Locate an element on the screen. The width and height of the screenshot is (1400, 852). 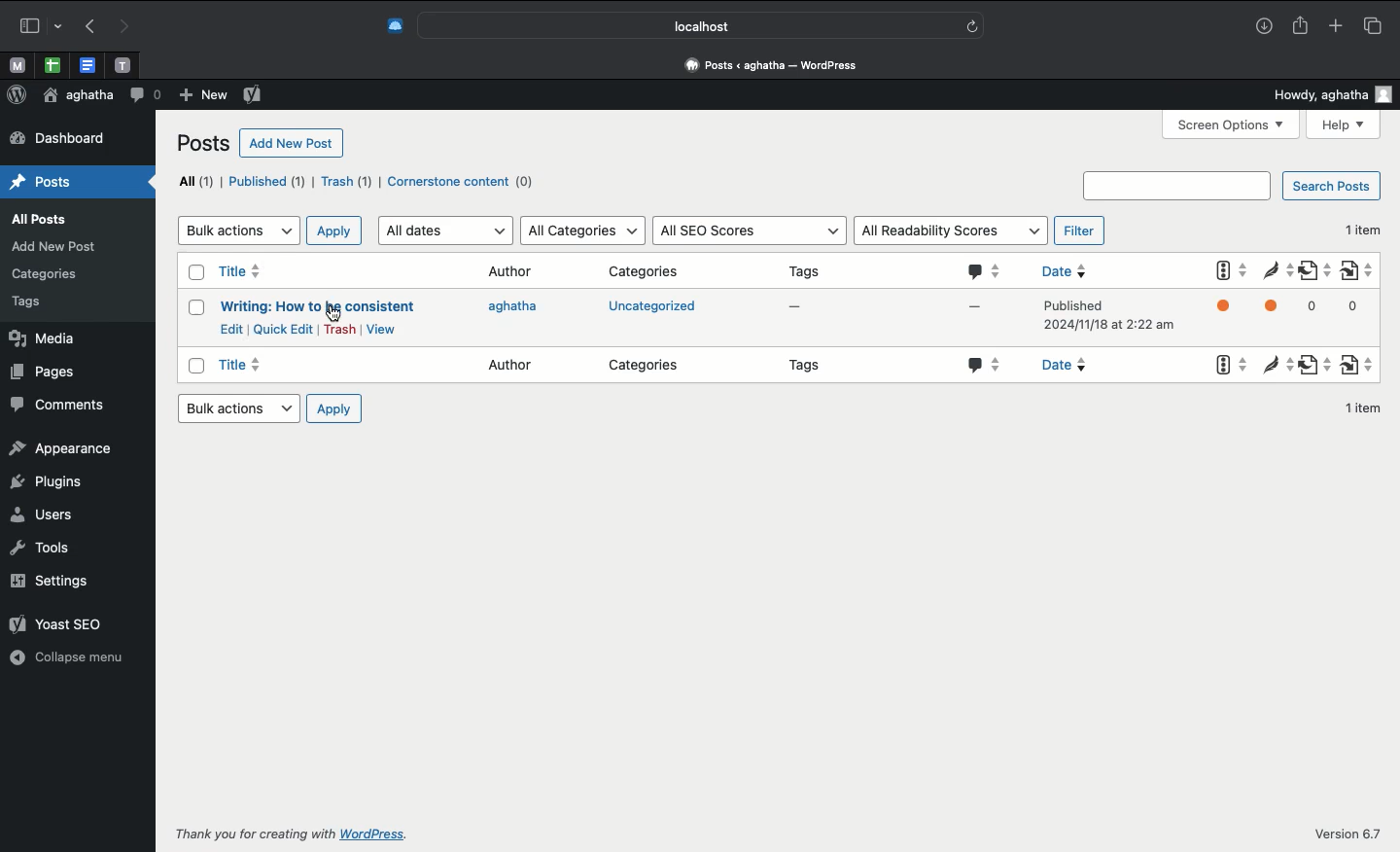
Pinned tabs is located at coordinates (121, 65).